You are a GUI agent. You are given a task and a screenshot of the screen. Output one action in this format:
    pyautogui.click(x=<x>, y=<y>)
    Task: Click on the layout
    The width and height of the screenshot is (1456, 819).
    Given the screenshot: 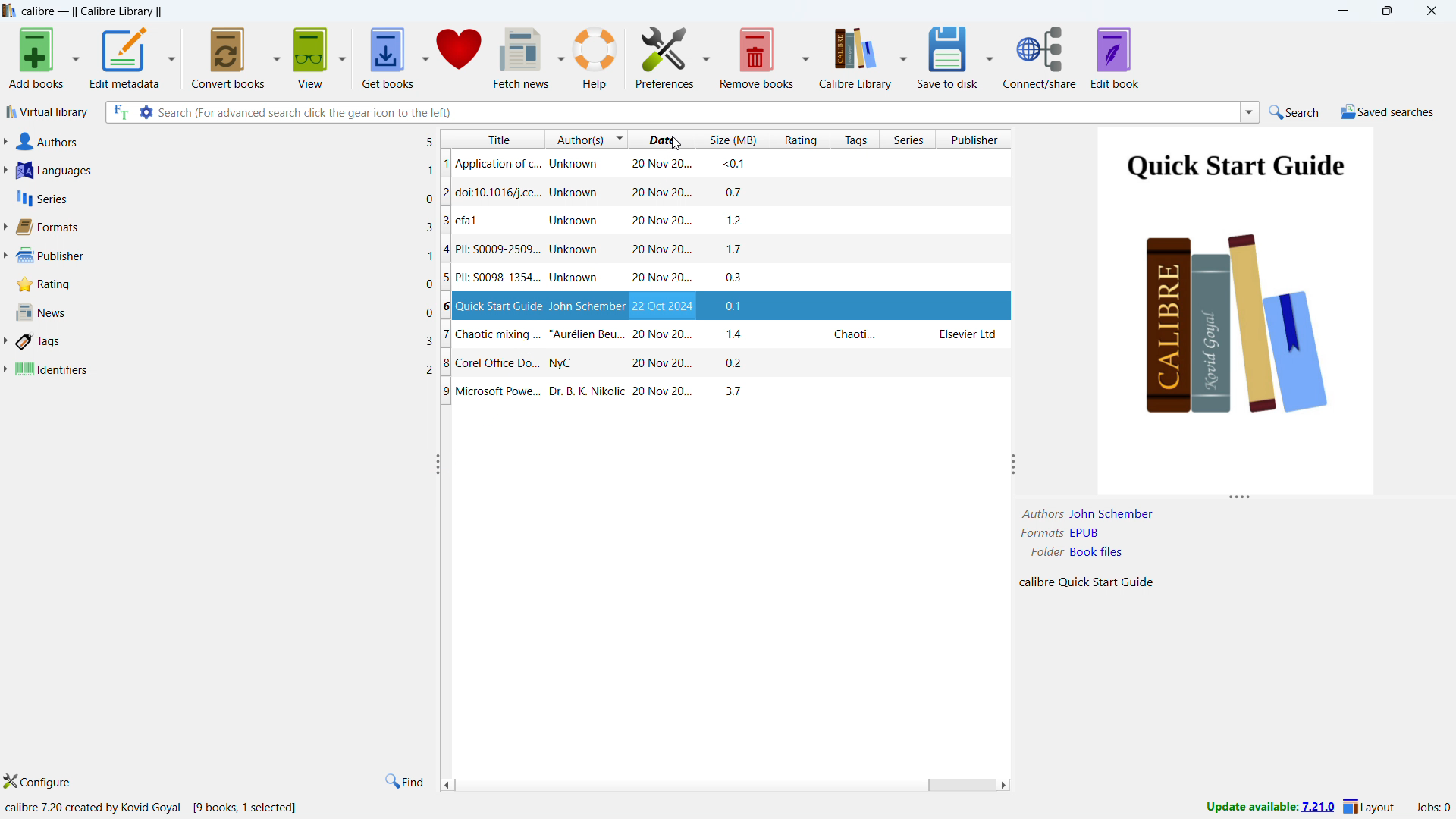 What is the action you would take?
    pyautogui.click(x=1370, y=806)
    